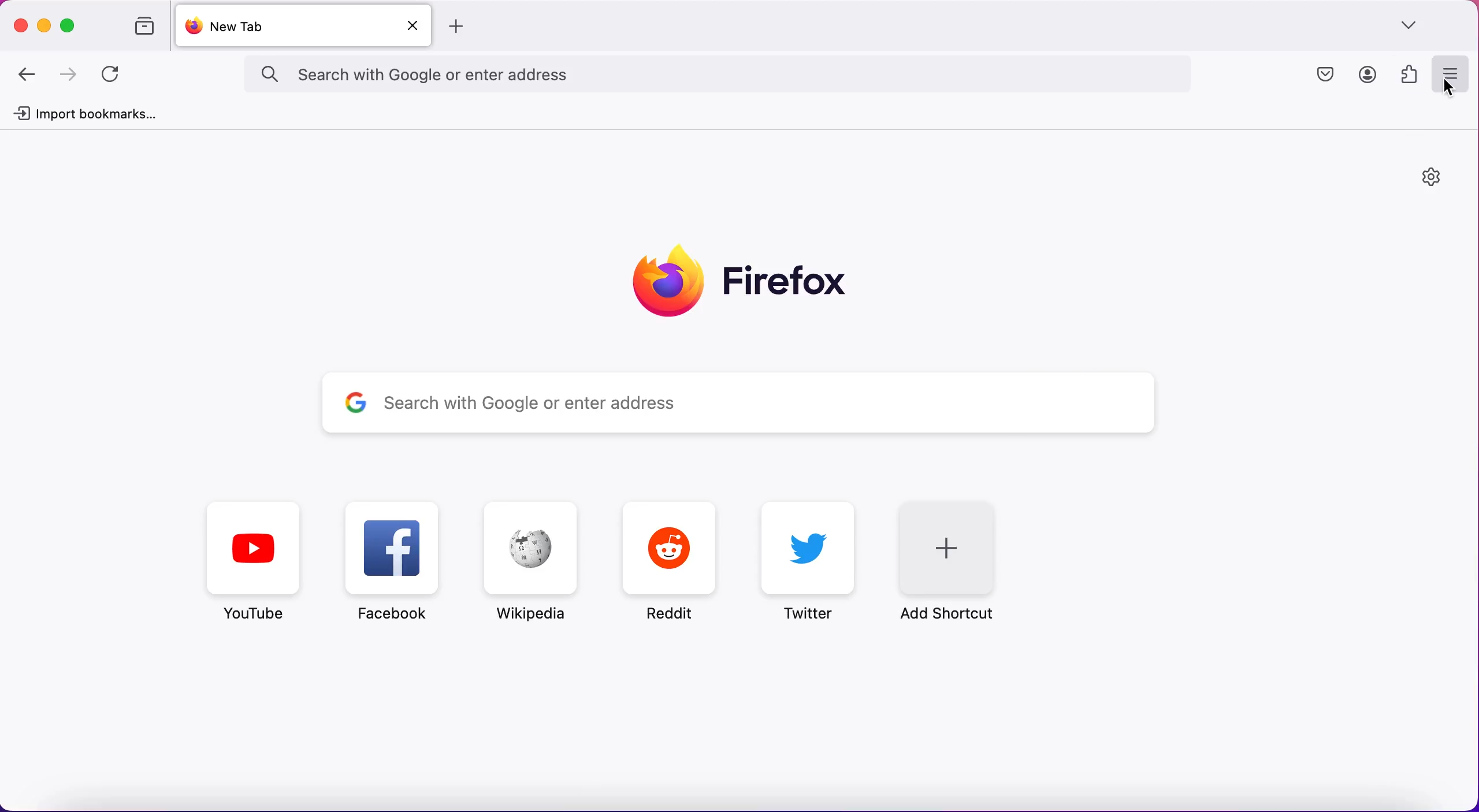 The height and width of the screenshot is (812, 1479). I want to click on YouTube, so click(255, 563).